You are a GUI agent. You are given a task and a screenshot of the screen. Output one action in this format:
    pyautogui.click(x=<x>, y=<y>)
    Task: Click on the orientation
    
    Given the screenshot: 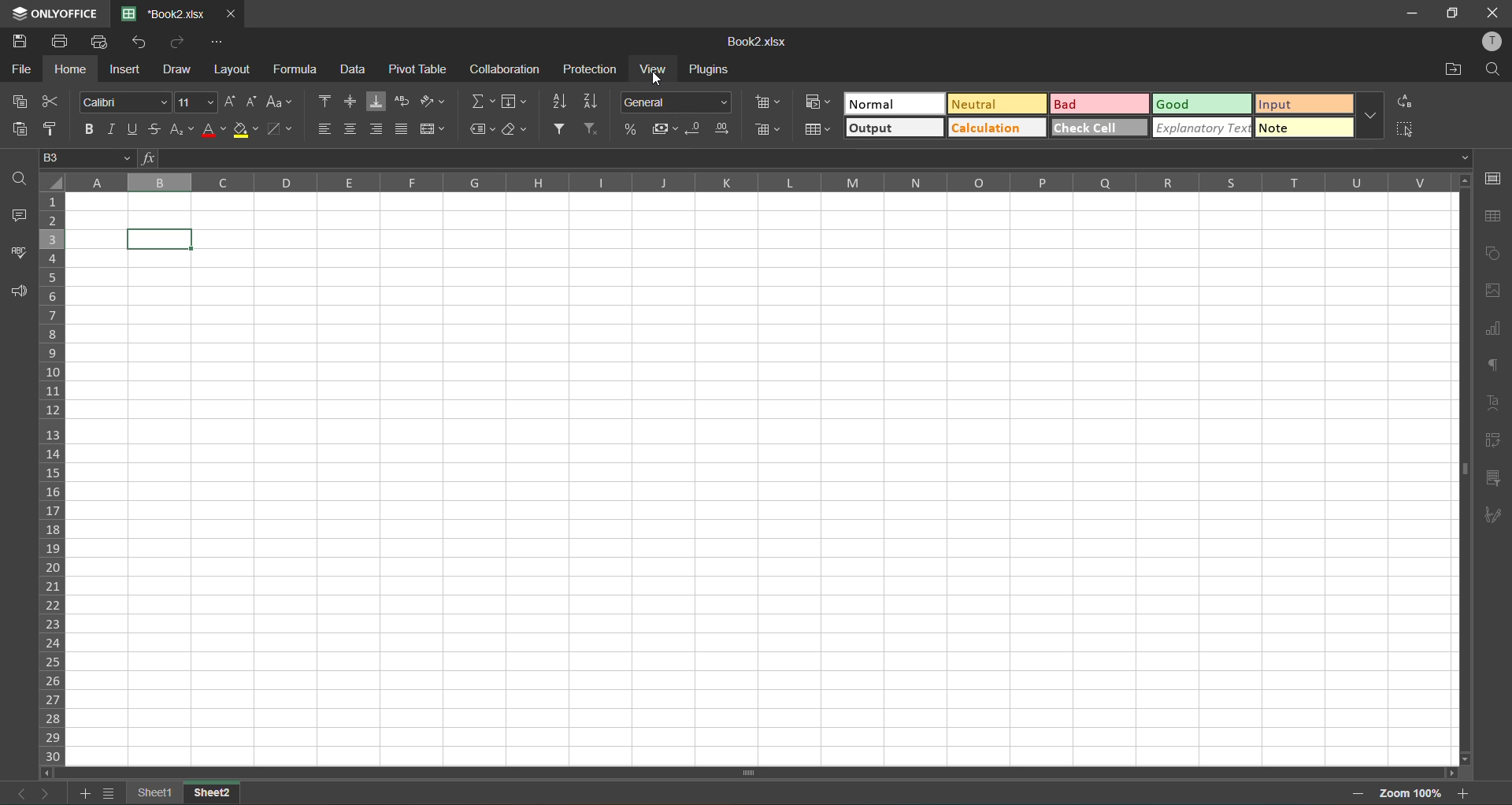 What is the action you would take?
    pyautogui.click(x=432, y=102)
    